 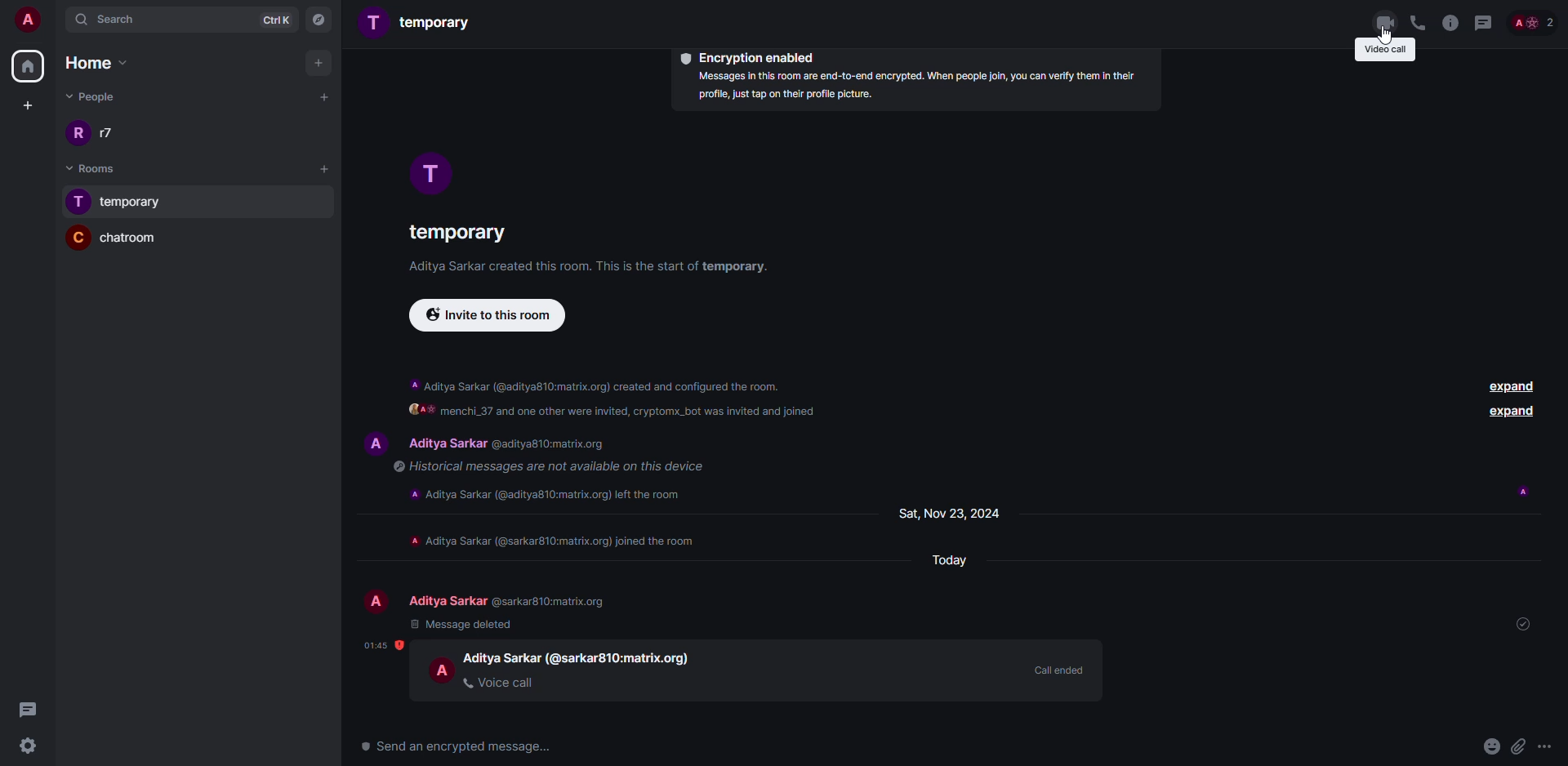 I want to click on day, so click(x=950, y=514).